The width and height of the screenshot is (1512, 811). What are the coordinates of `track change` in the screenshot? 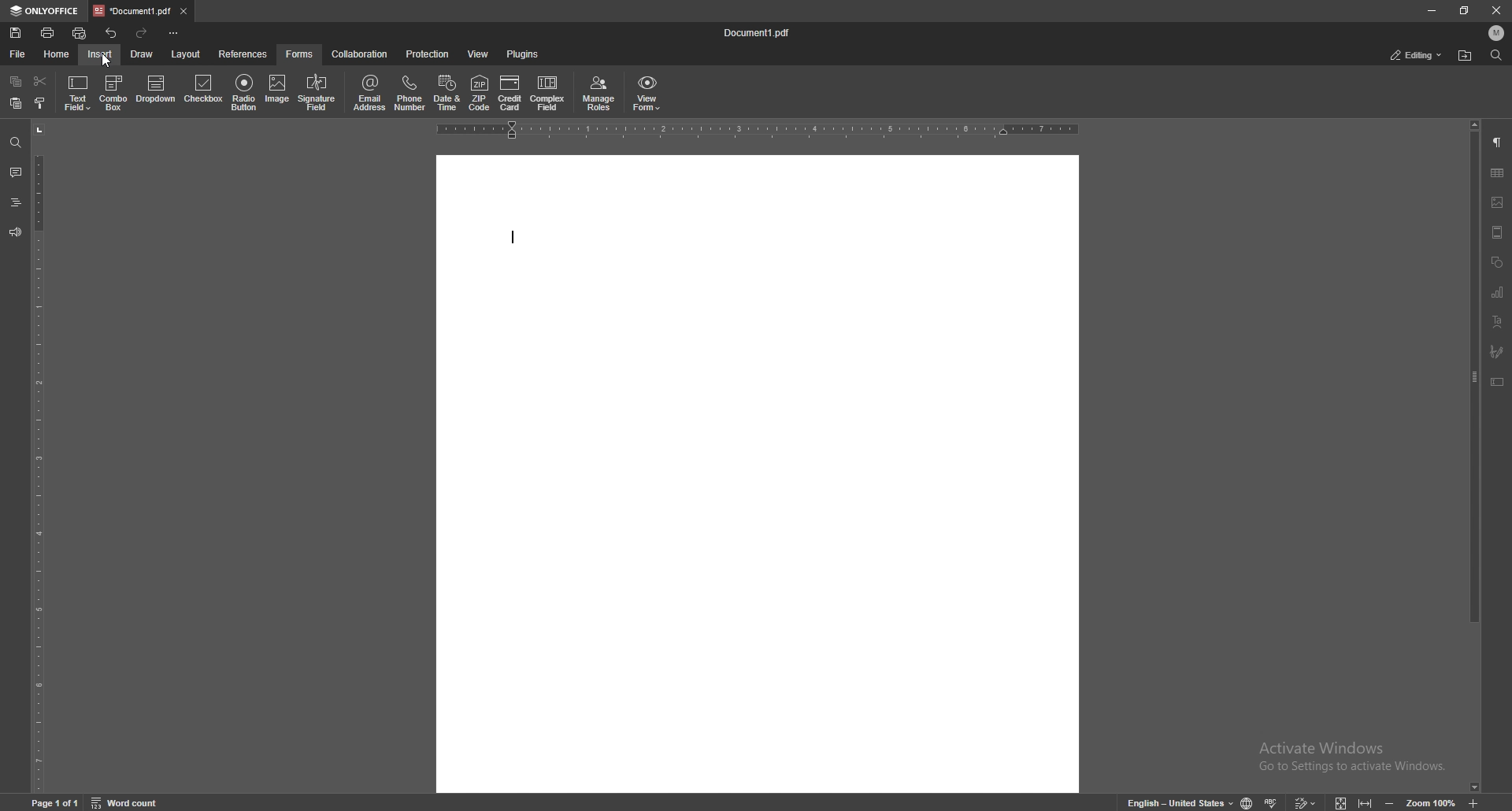 It's located at (1304, 802).